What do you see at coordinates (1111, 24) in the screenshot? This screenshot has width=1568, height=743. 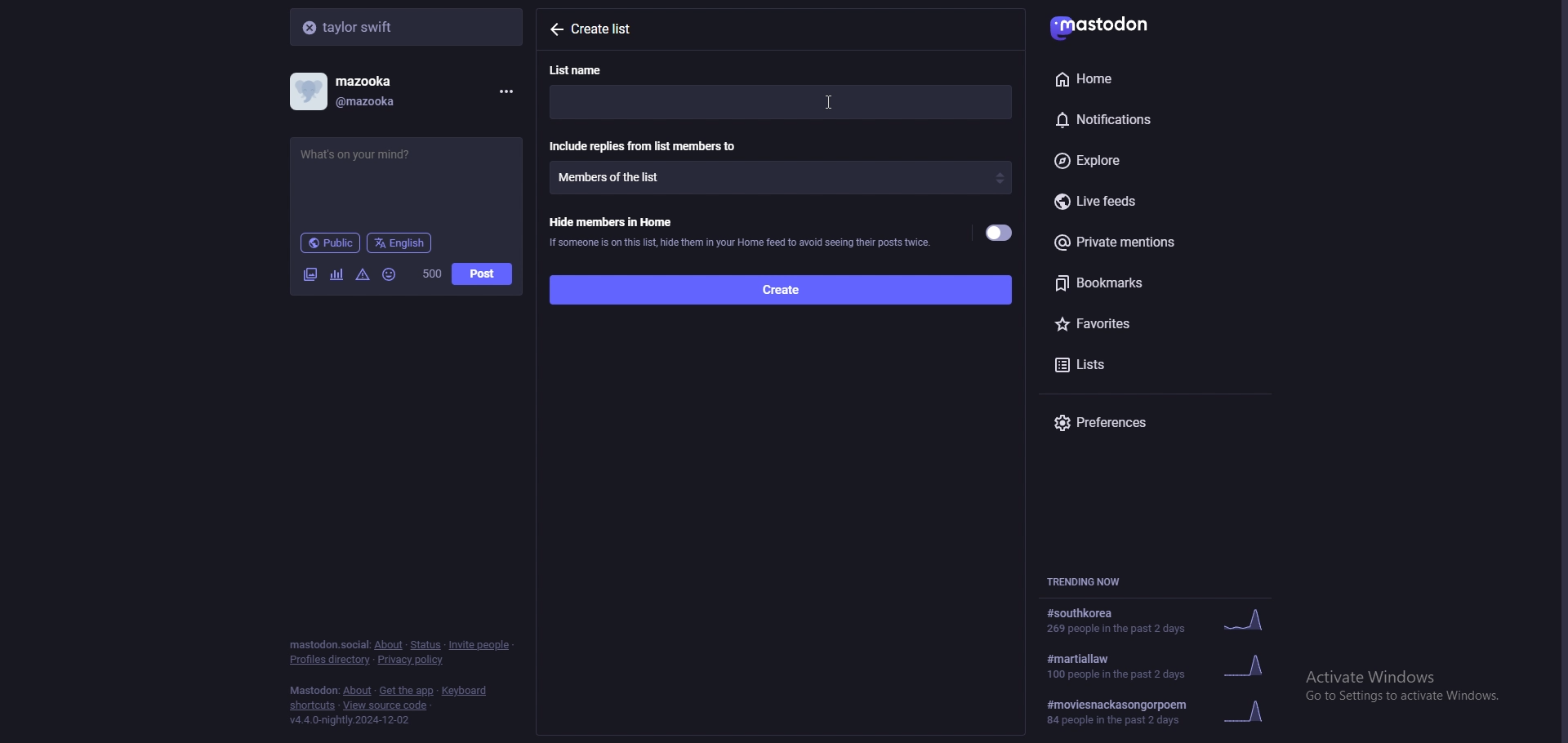 I see `mastodon` at bounding box center [1111, 24].